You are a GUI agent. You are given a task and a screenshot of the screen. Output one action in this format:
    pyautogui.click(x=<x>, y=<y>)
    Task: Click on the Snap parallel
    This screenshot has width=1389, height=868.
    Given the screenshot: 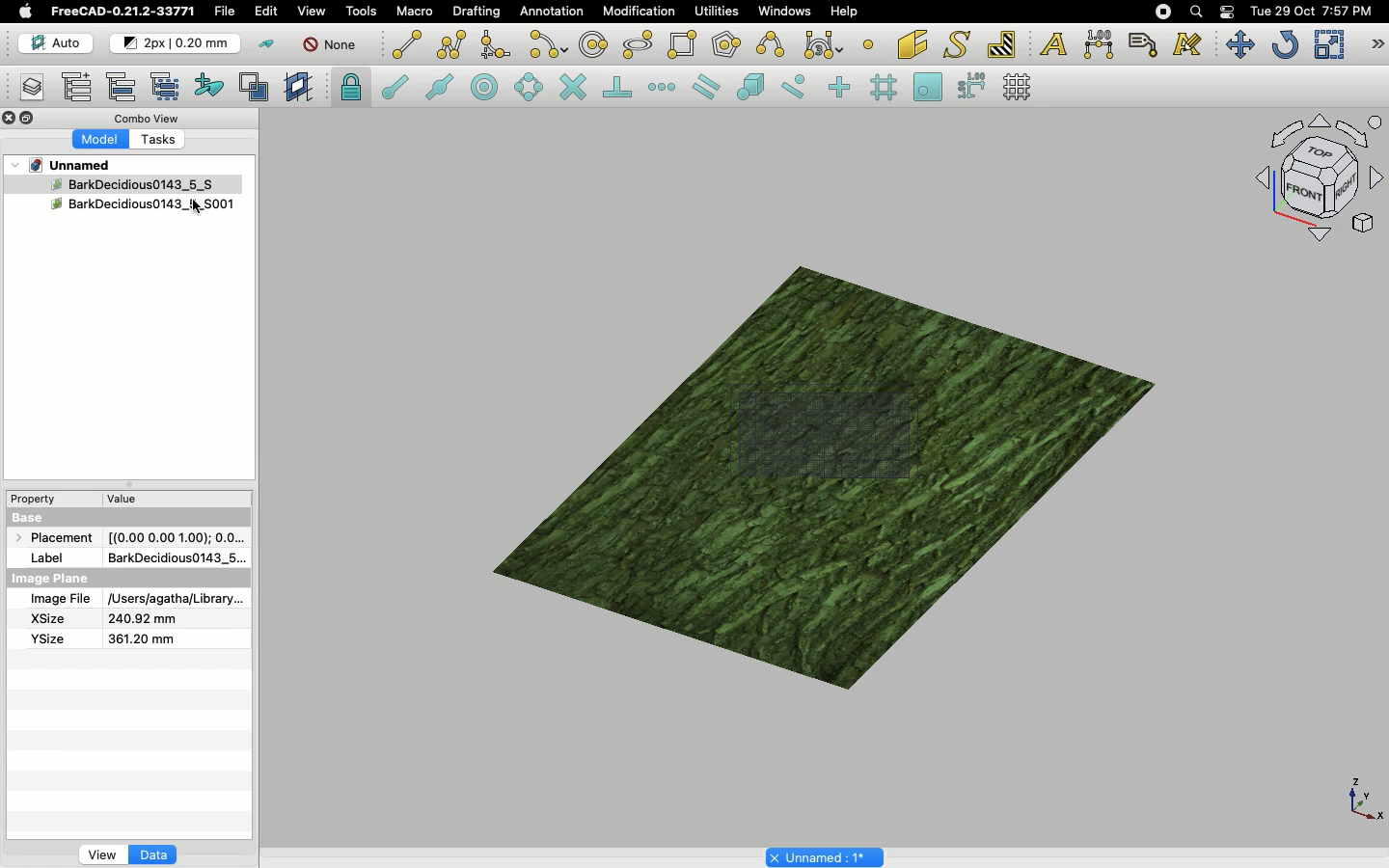 What is the action you would take?
    pyautogui.click(x=706, y=87)
    